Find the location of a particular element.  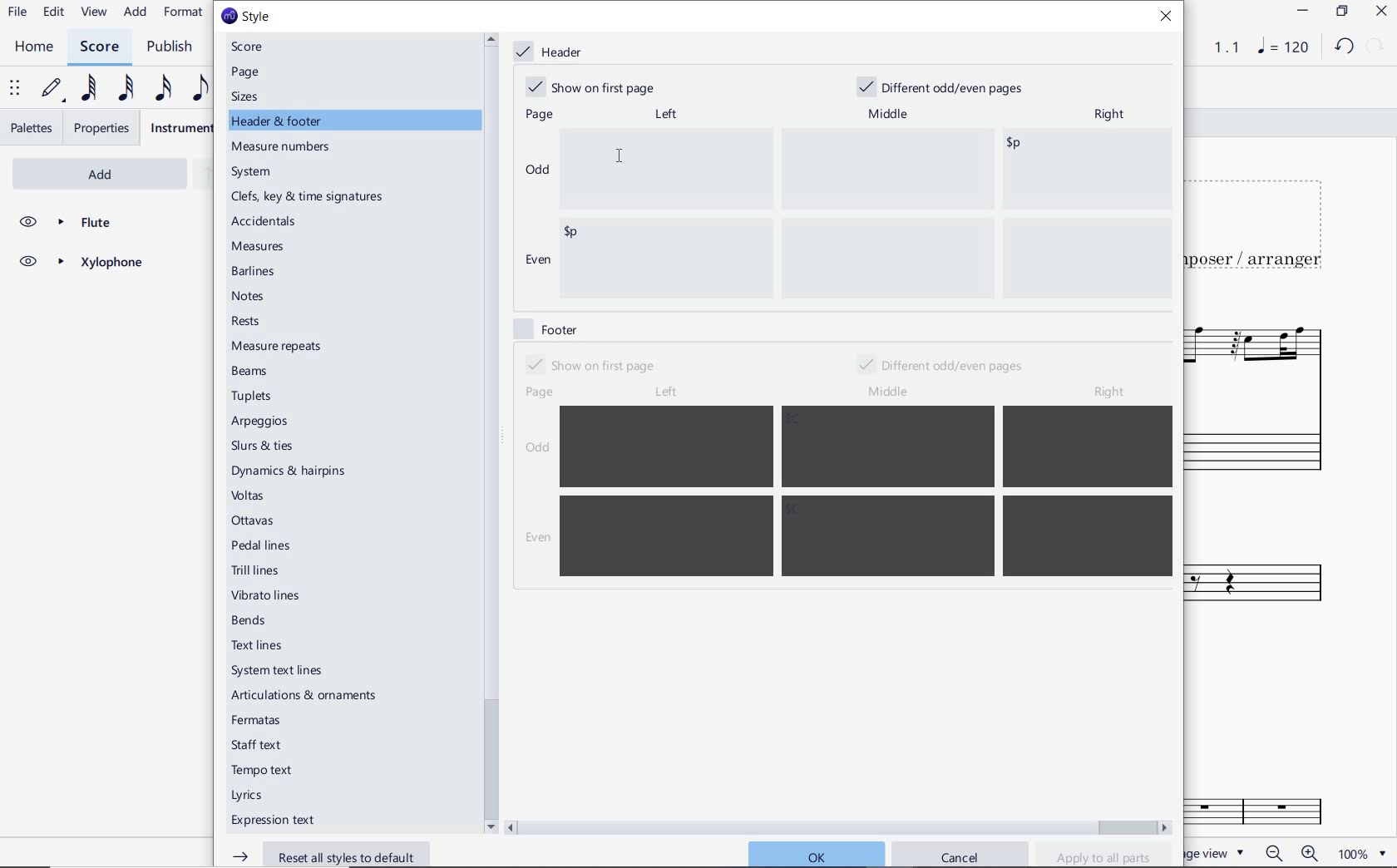

ottavas is located at coordinates (254, 520).